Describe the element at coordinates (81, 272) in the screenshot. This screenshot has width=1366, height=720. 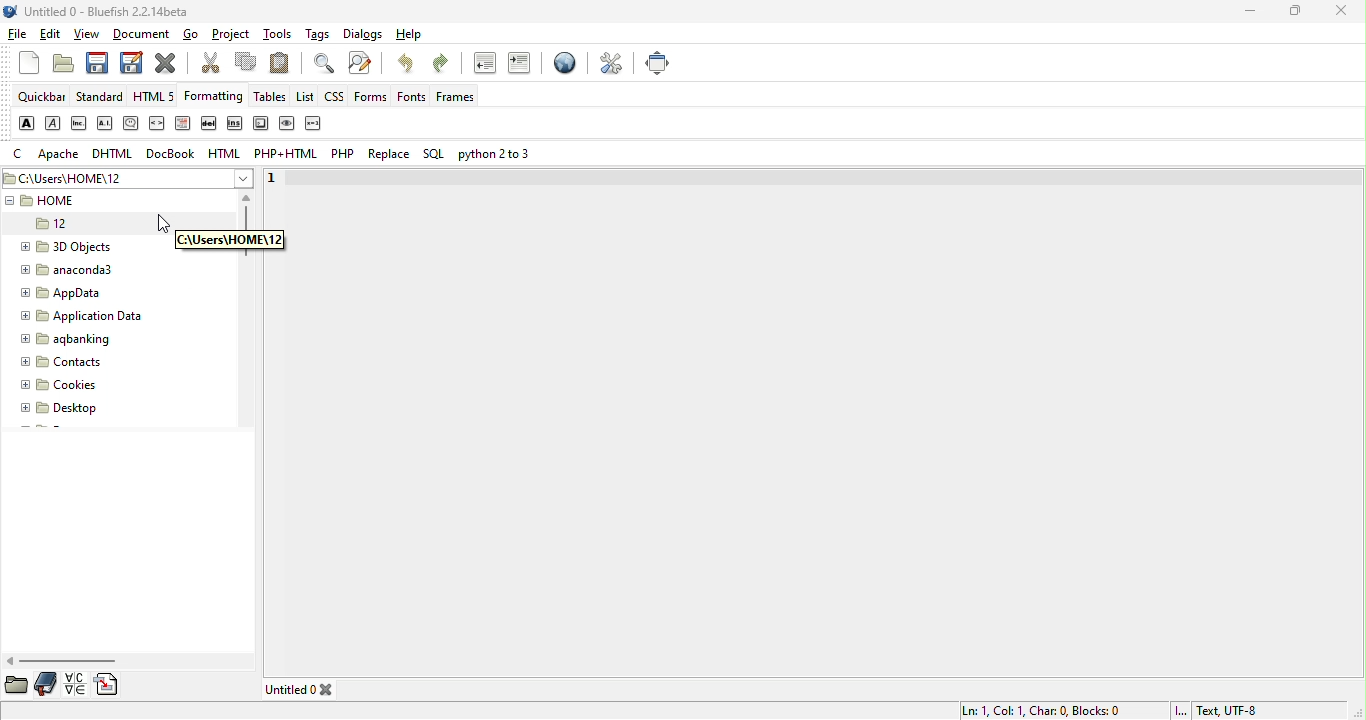
I see `anaconda3` at that location.